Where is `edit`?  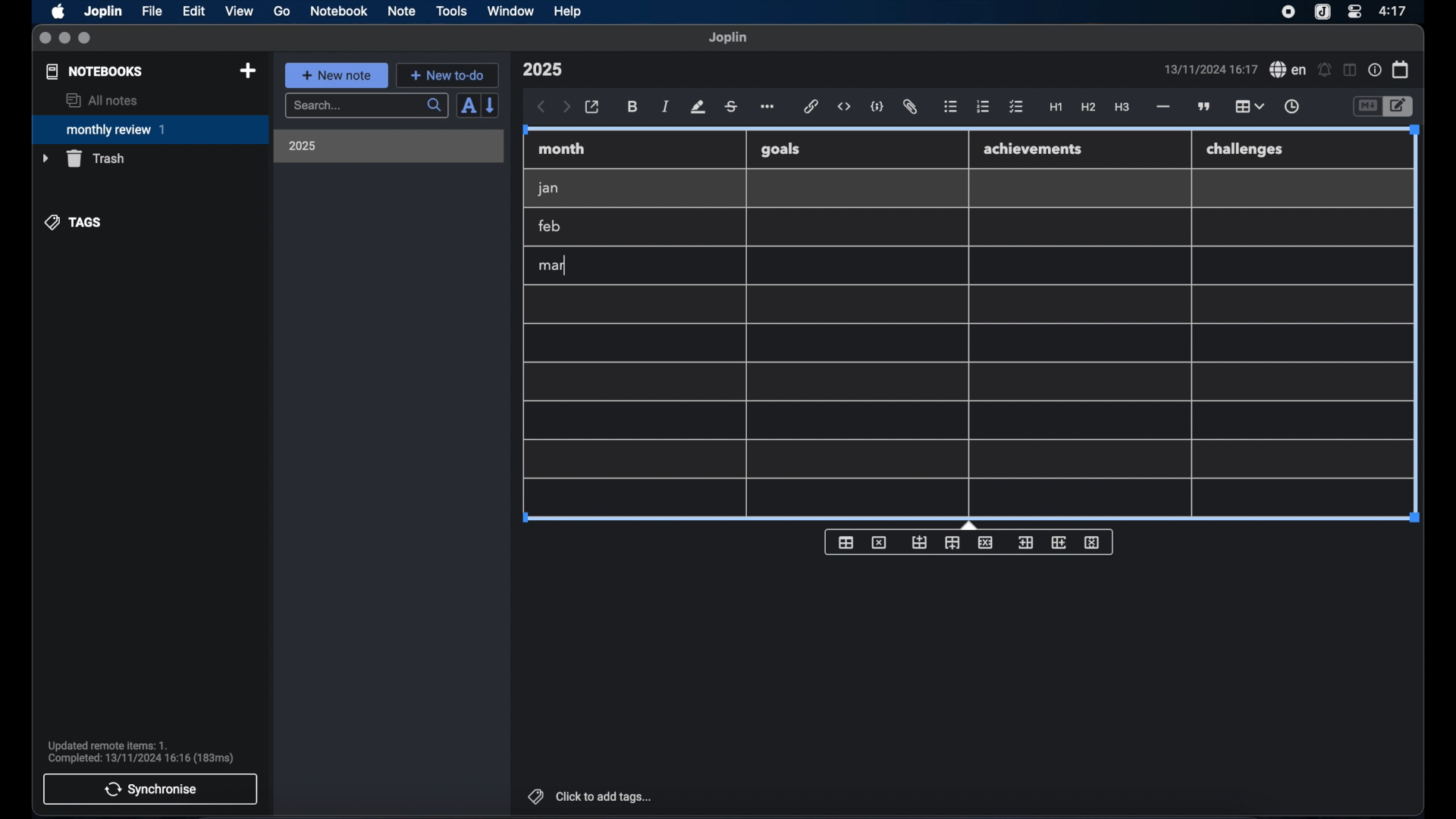
edit is located at coordinates (195, 11).